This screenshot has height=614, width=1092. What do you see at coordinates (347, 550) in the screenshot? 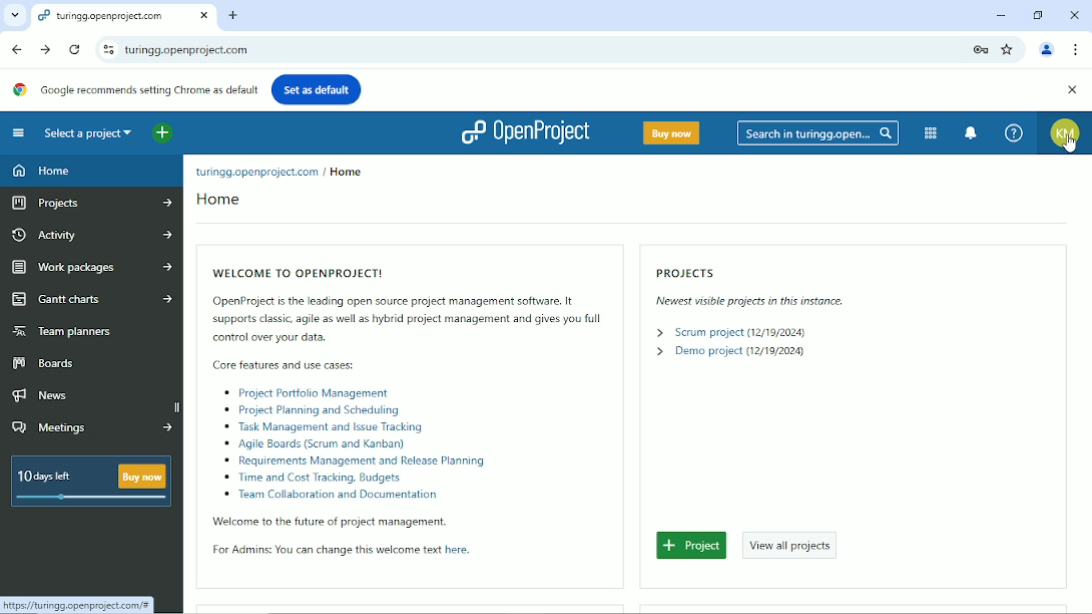
I see `For Admins: You can change this welcome text here.` at bounding box center [347, 550].